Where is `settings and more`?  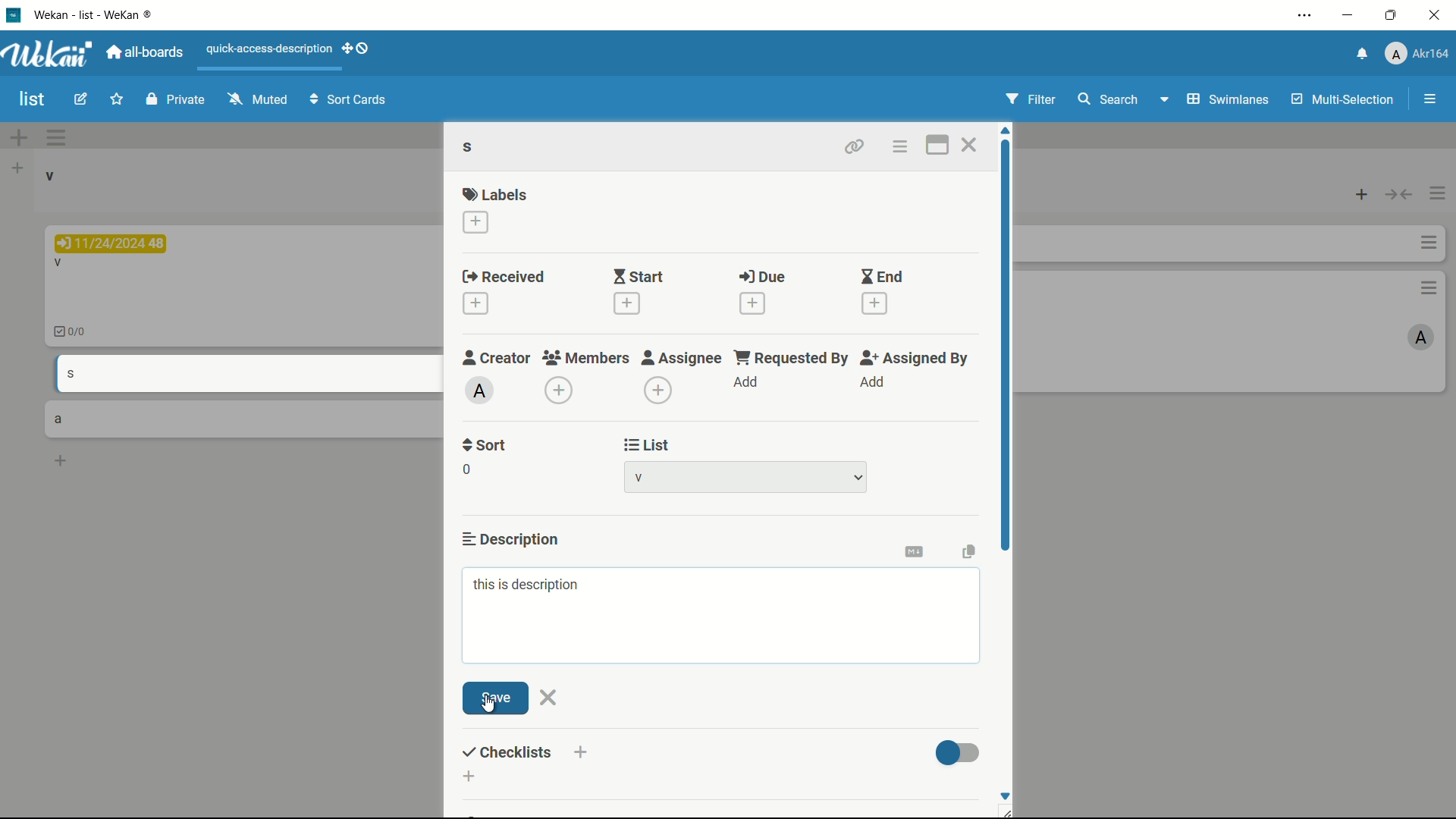
settings and more is located at coordinates (1304, 14).